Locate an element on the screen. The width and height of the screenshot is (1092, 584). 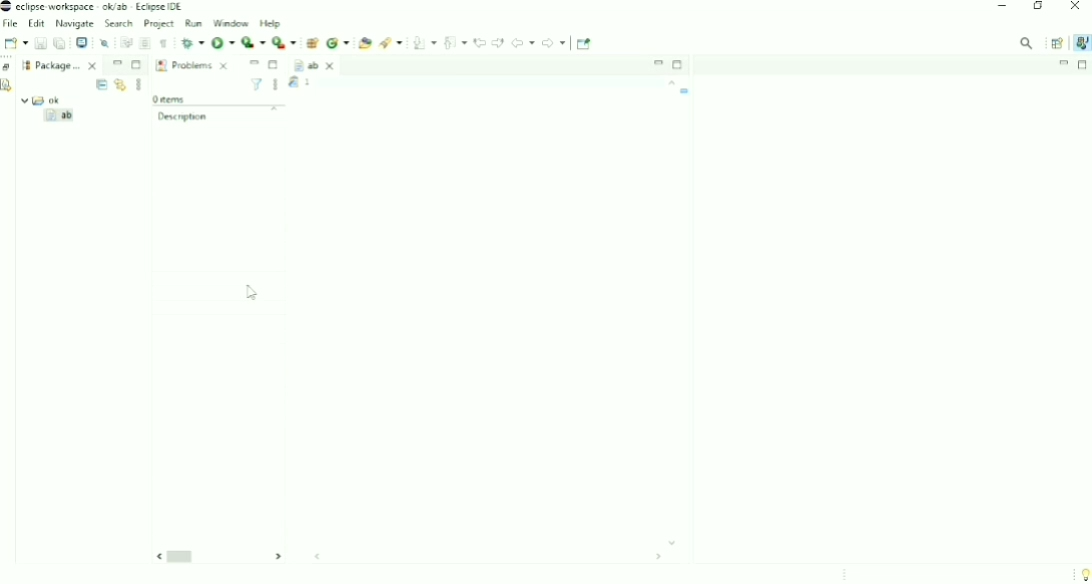
Workspace is located at coordinates (26, 64).